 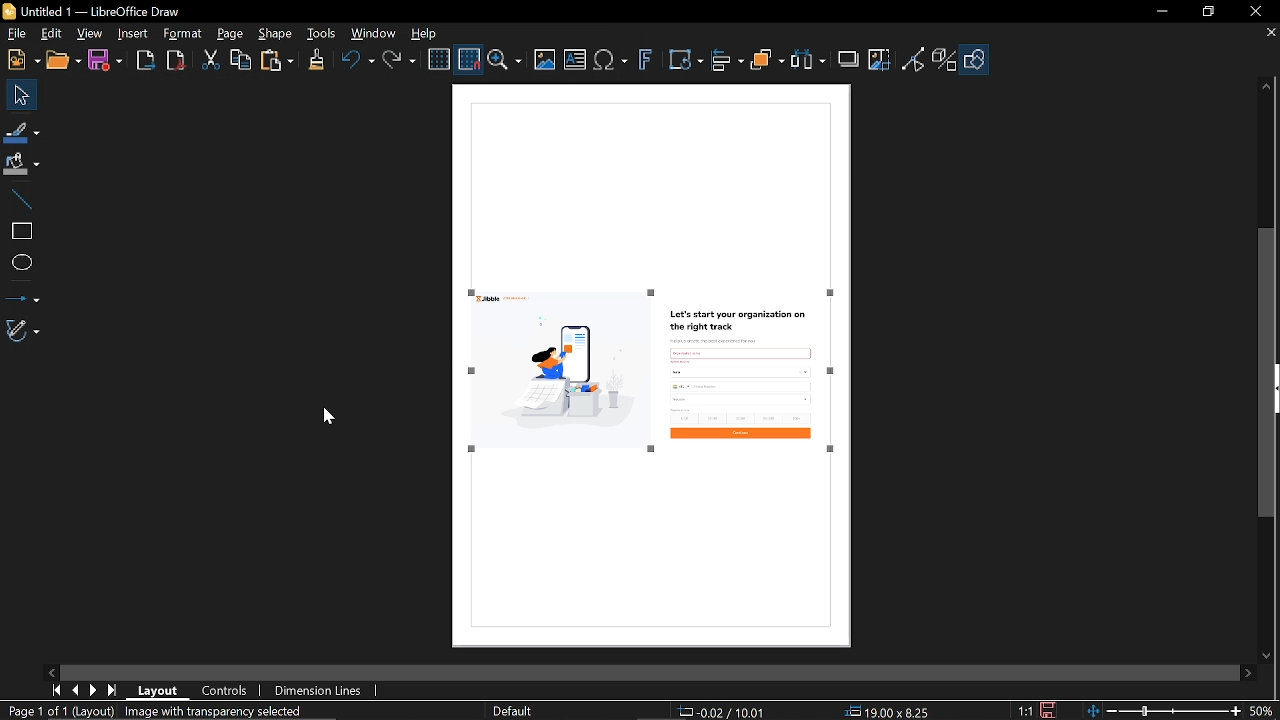 What do you see at coordinates (1272, 656) in the screenshot?
I see `move down` at bounding box center [1272, 656].